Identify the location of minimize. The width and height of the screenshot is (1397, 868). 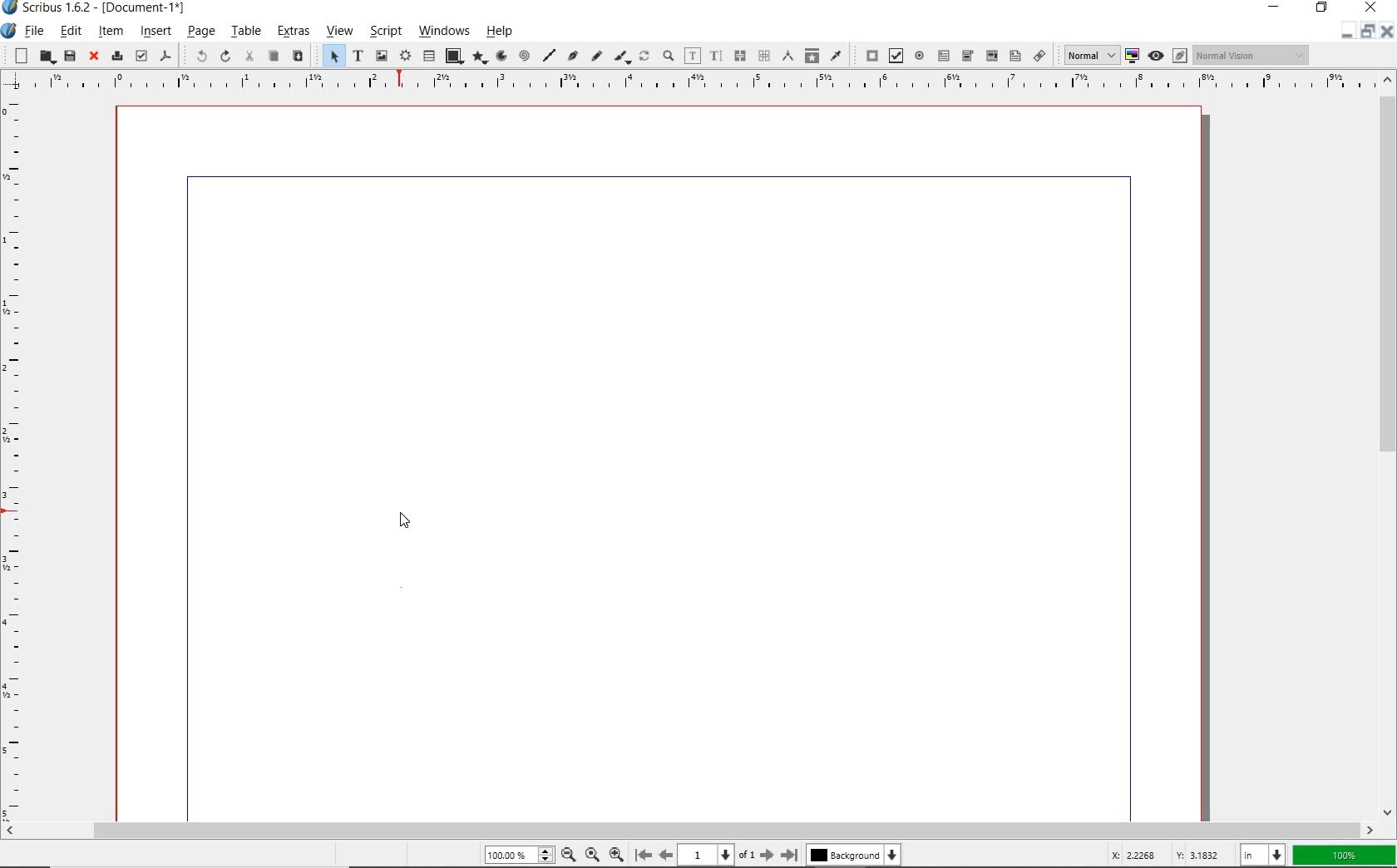
(1277, 8).